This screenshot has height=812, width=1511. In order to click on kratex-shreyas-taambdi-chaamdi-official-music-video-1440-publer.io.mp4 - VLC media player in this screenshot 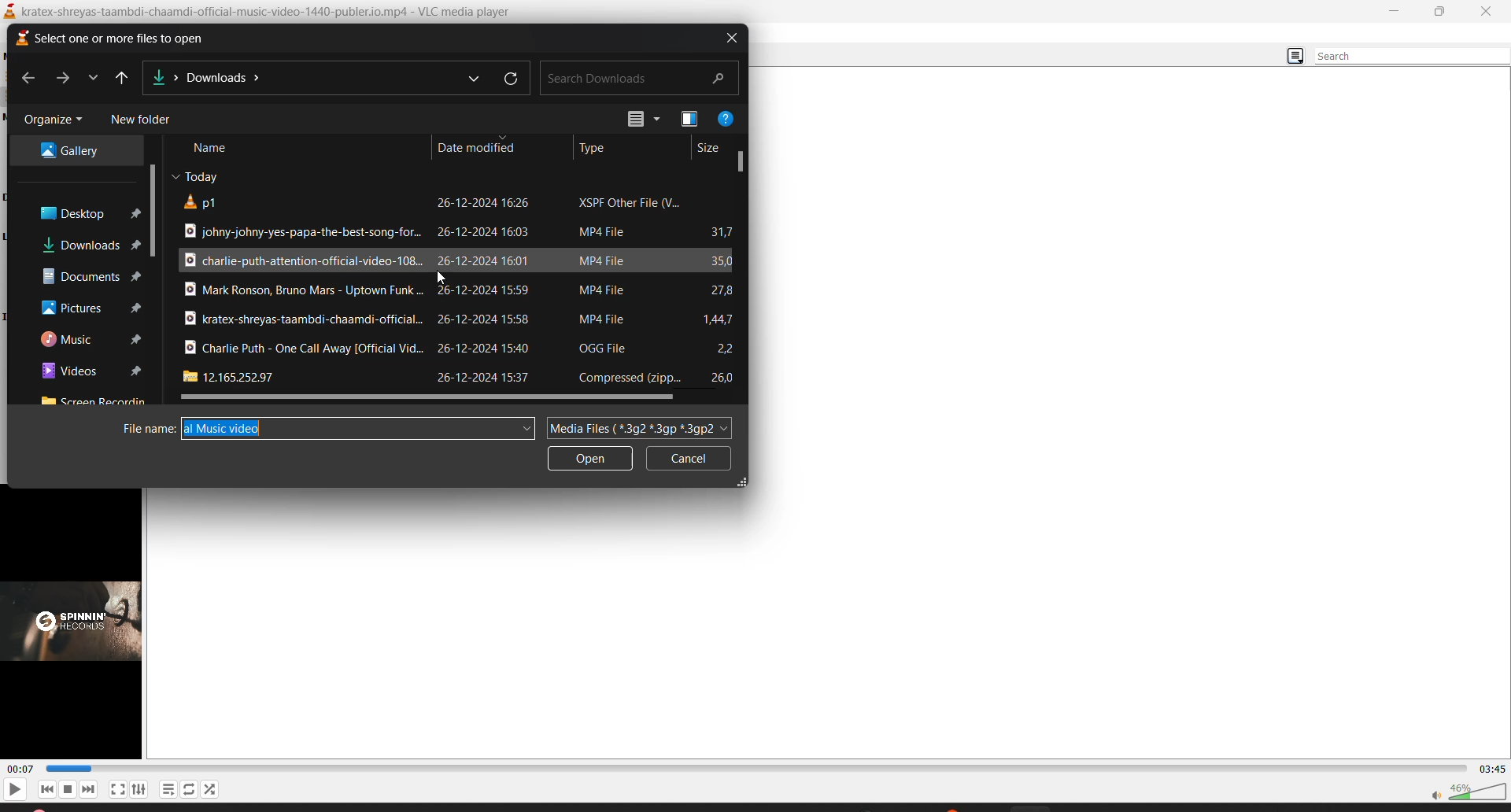, I will do `click(287, 9)`.